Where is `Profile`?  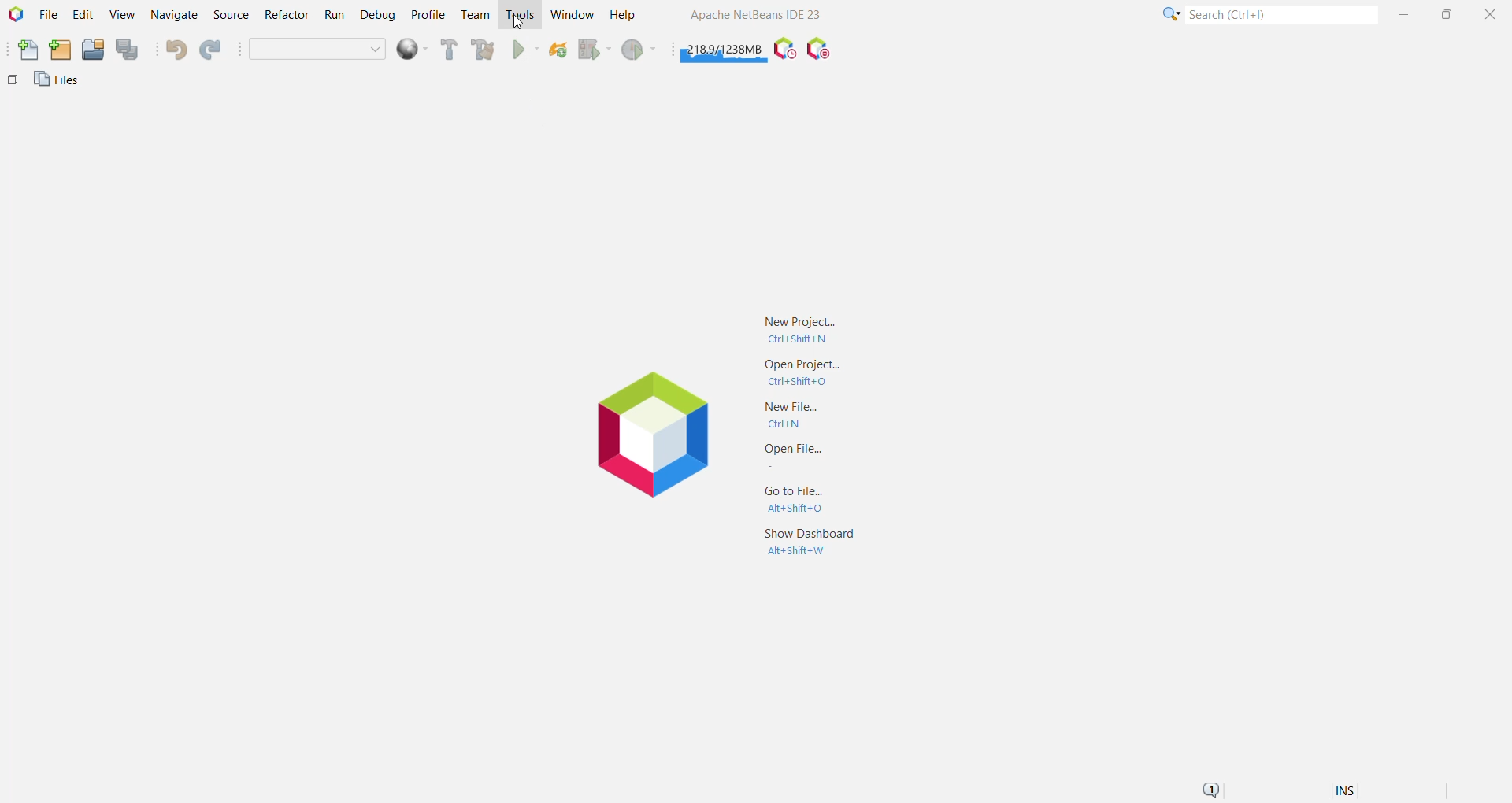
Profile is located at coordinates (428, 14).